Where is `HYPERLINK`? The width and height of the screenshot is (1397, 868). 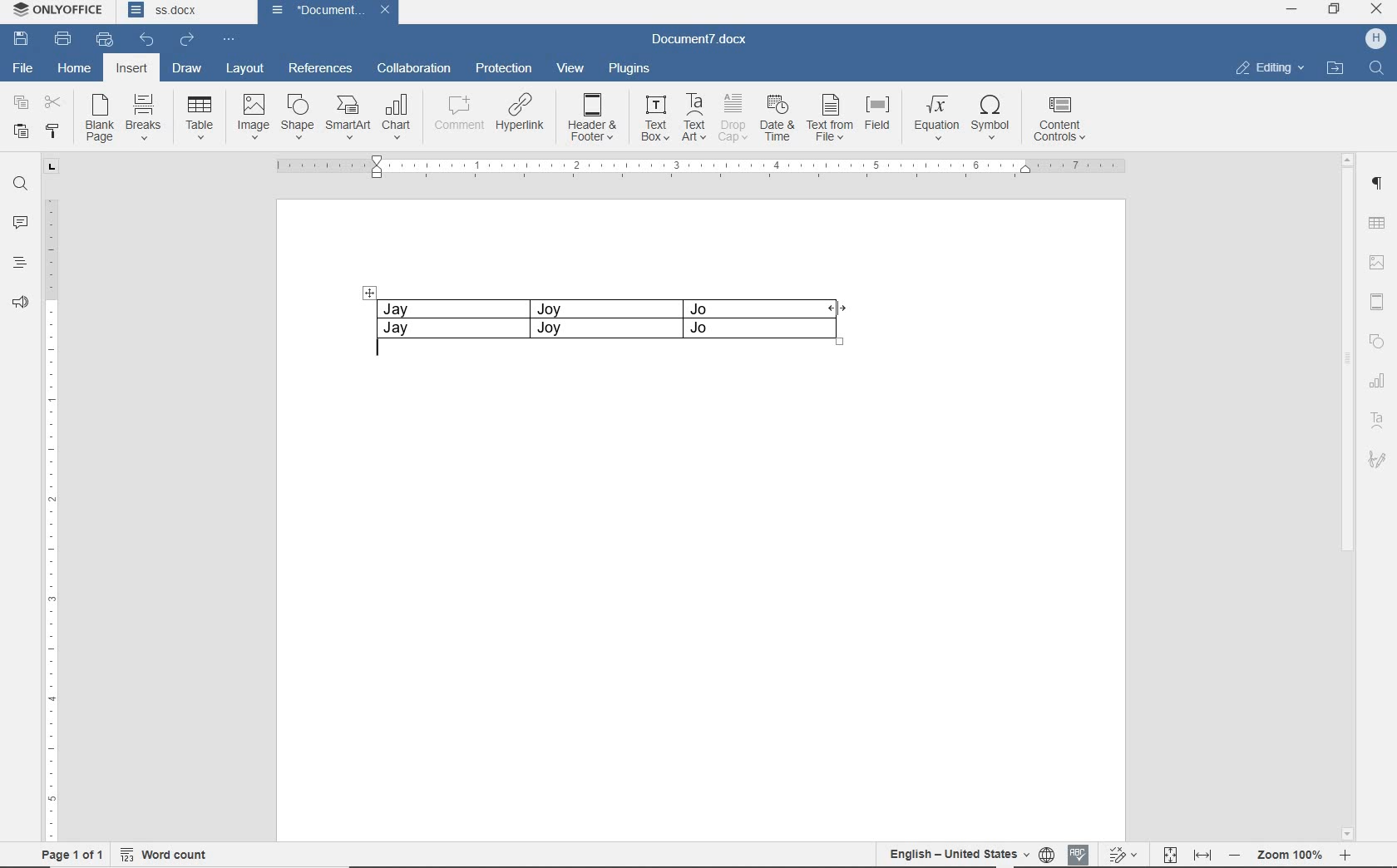 HYPERLINK is located at coordinates (521, 116).